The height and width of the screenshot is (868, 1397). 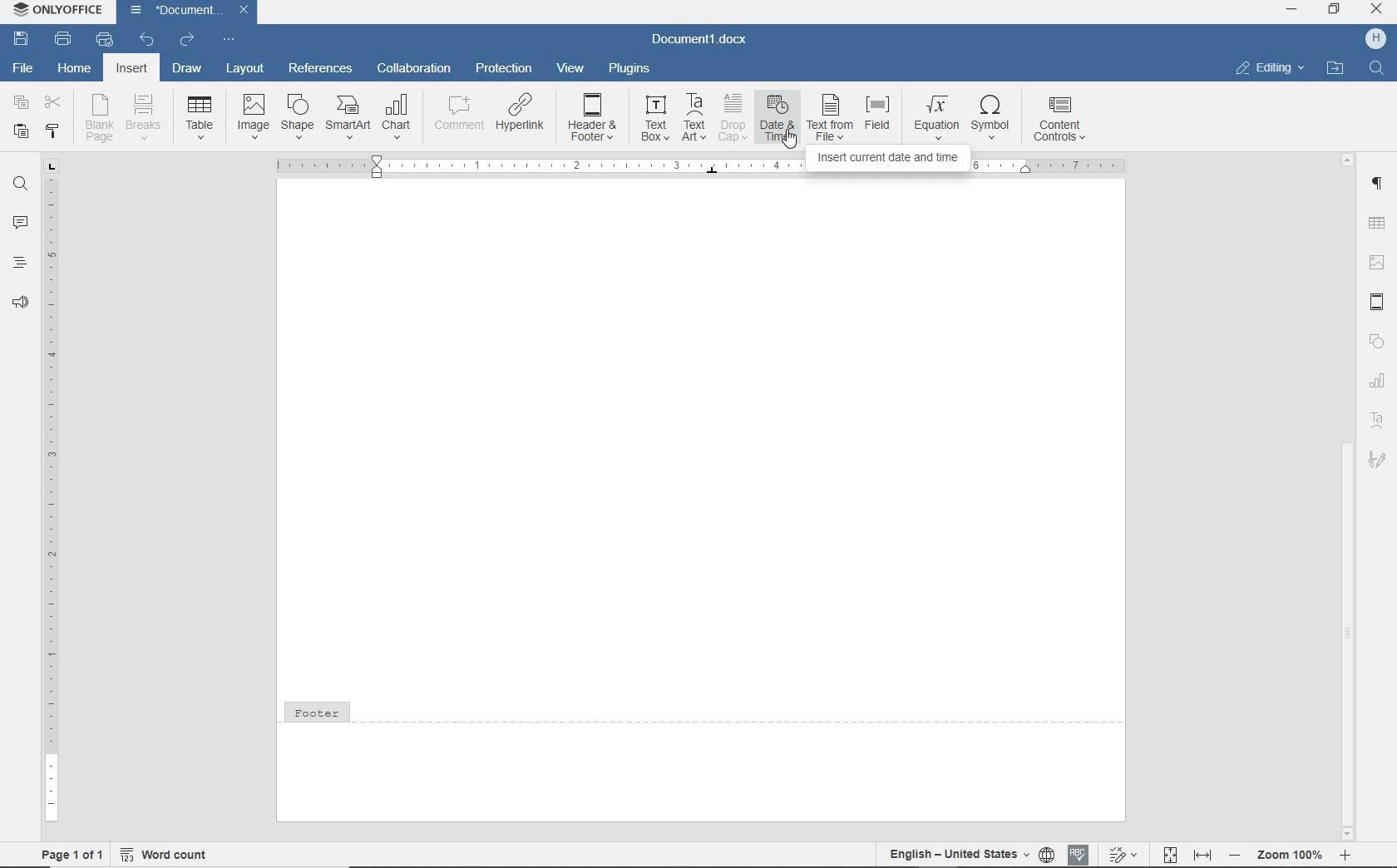 I want to click on editing, so click(x=1271, y=69).